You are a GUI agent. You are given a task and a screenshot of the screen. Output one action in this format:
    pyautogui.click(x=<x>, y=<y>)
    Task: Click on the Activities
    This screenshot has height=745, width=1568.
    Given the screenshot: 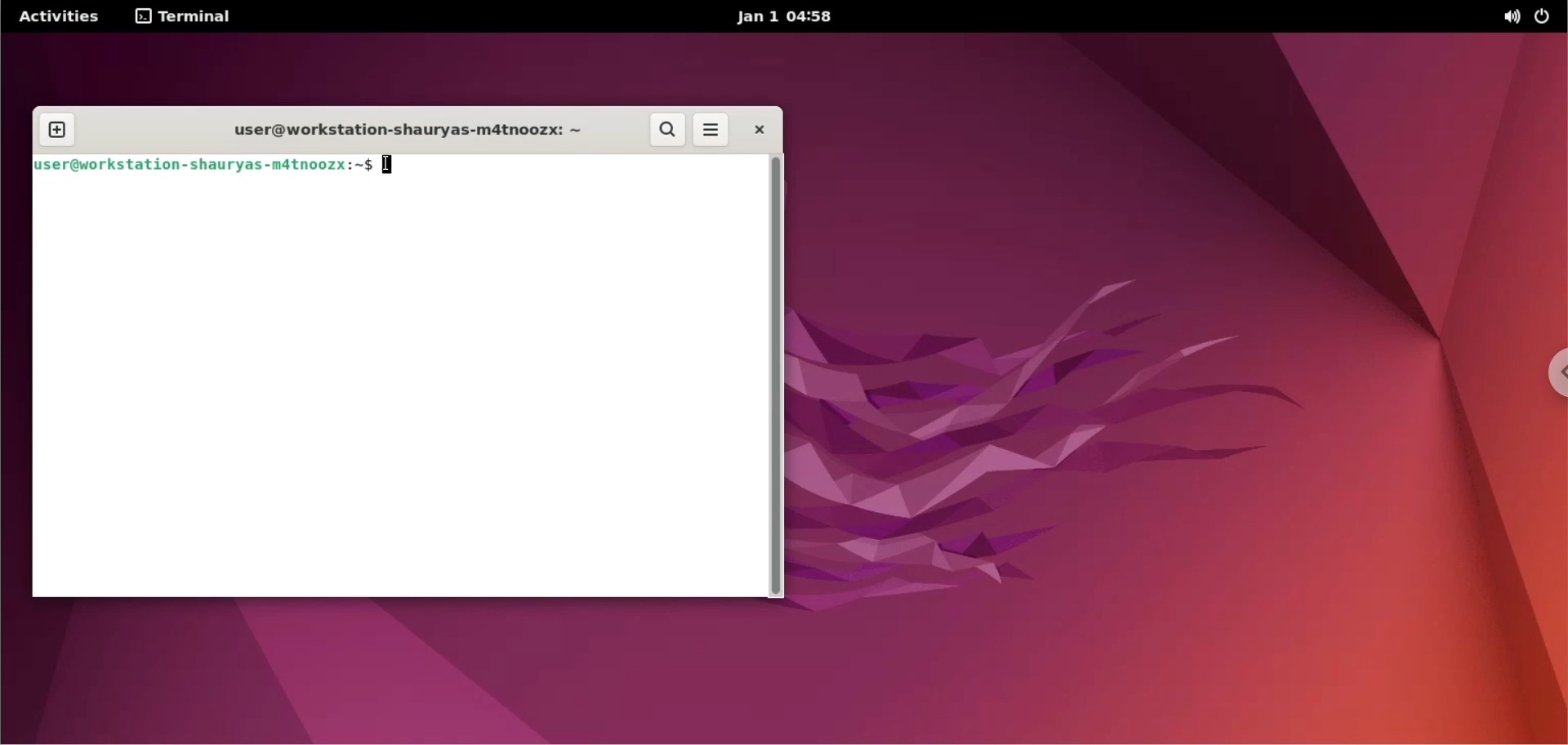 What is the action you would take?
    pyautogui.click(x=62, y=16)
    